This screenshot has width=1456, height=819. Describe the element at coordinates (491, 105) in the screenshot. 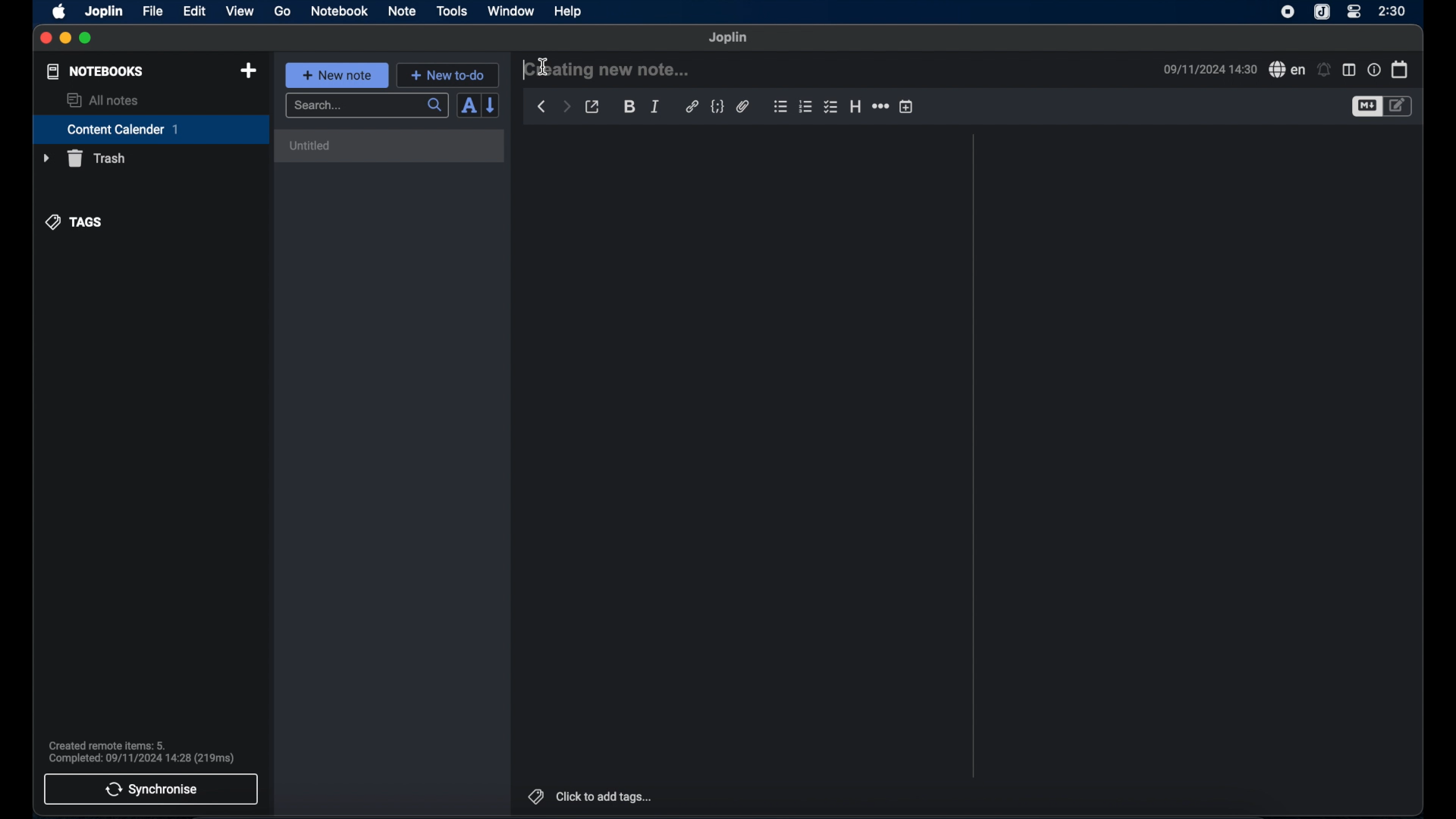

I see `reverse sort order` at that location.